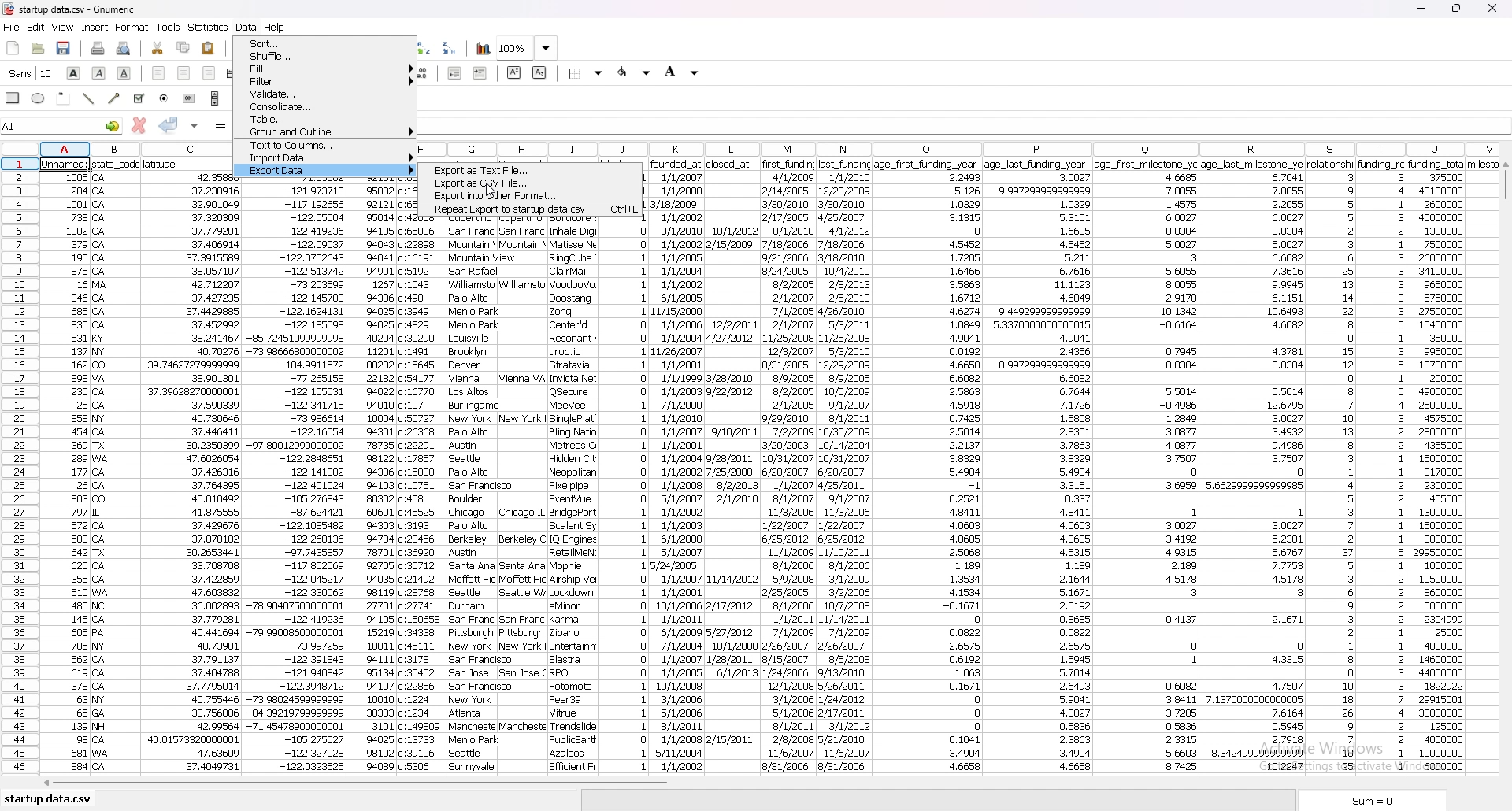  Describe the element at coordinates (324, 93) in the screenshot. I see `validate` at that location.